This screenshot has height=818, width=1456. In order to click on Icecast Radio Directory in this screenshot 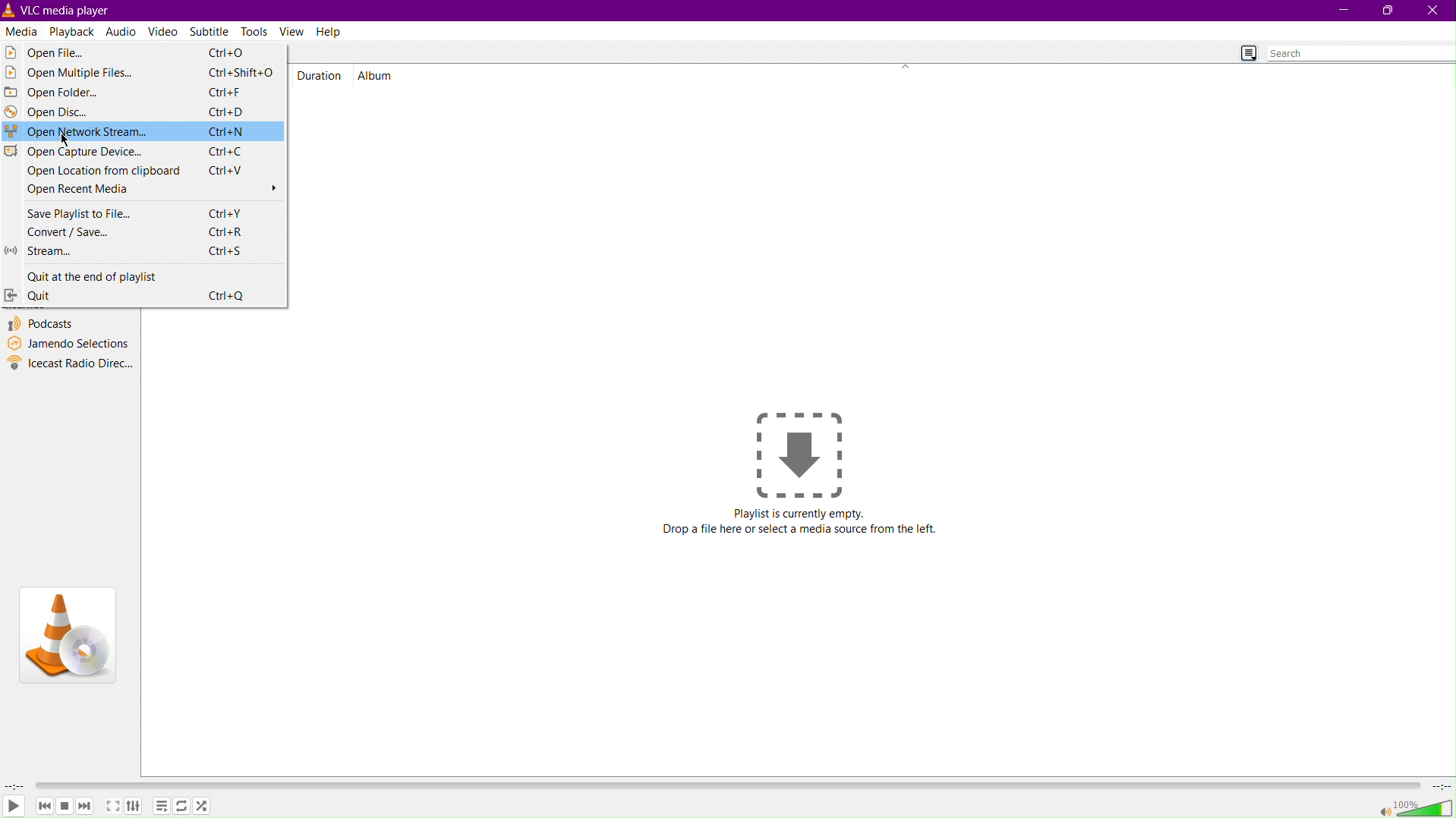, I will do `click(70, 364)`.